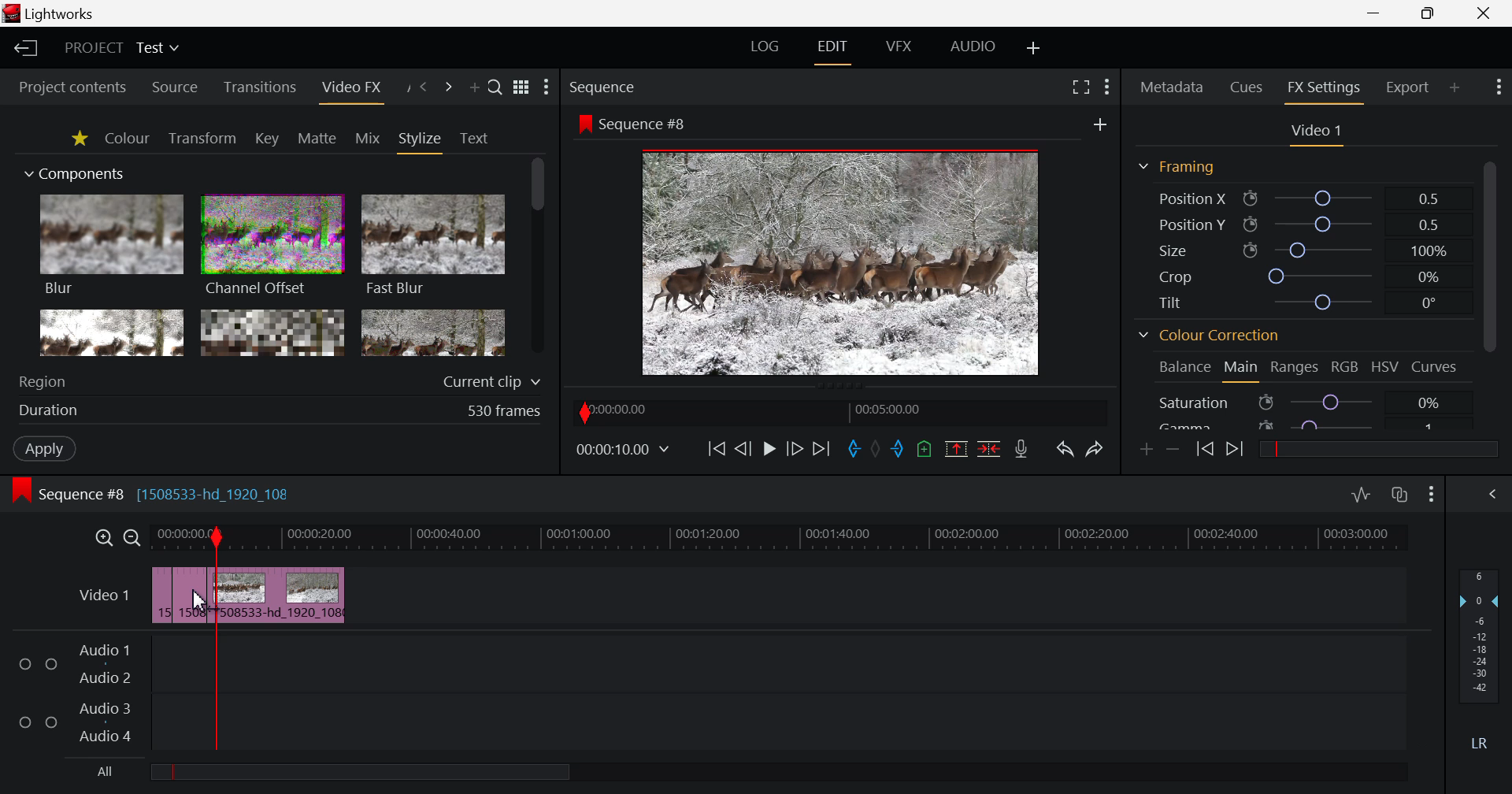 The height and width of the screenshot is (794, 1512). Describe the element at coordinates (973, 46) in the screenshot. I see `AUDIO Layout` at that location.